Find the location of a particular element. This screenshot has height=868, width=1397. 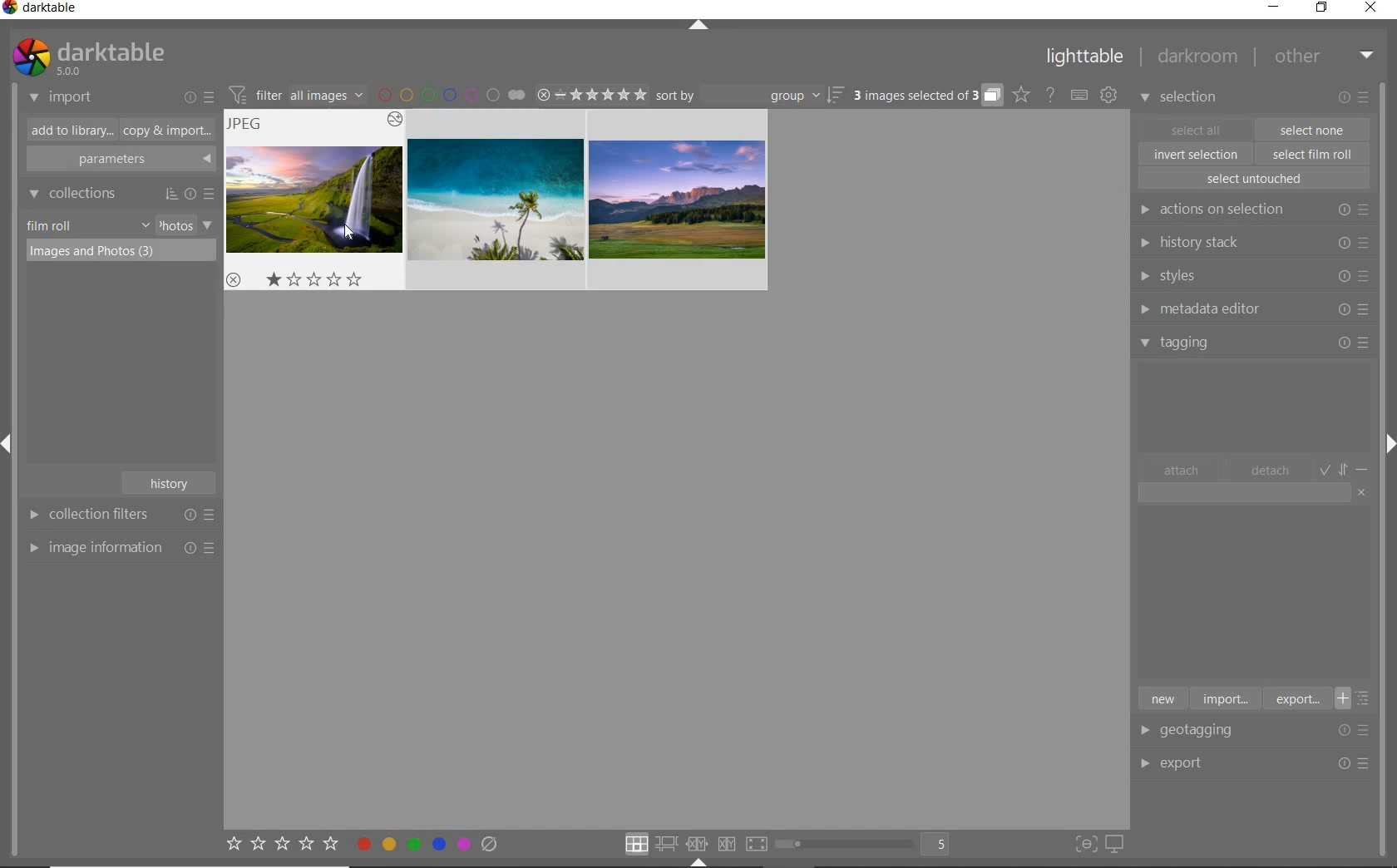

modify selected images or presets & preferences is located at coordinates (1356, 98).